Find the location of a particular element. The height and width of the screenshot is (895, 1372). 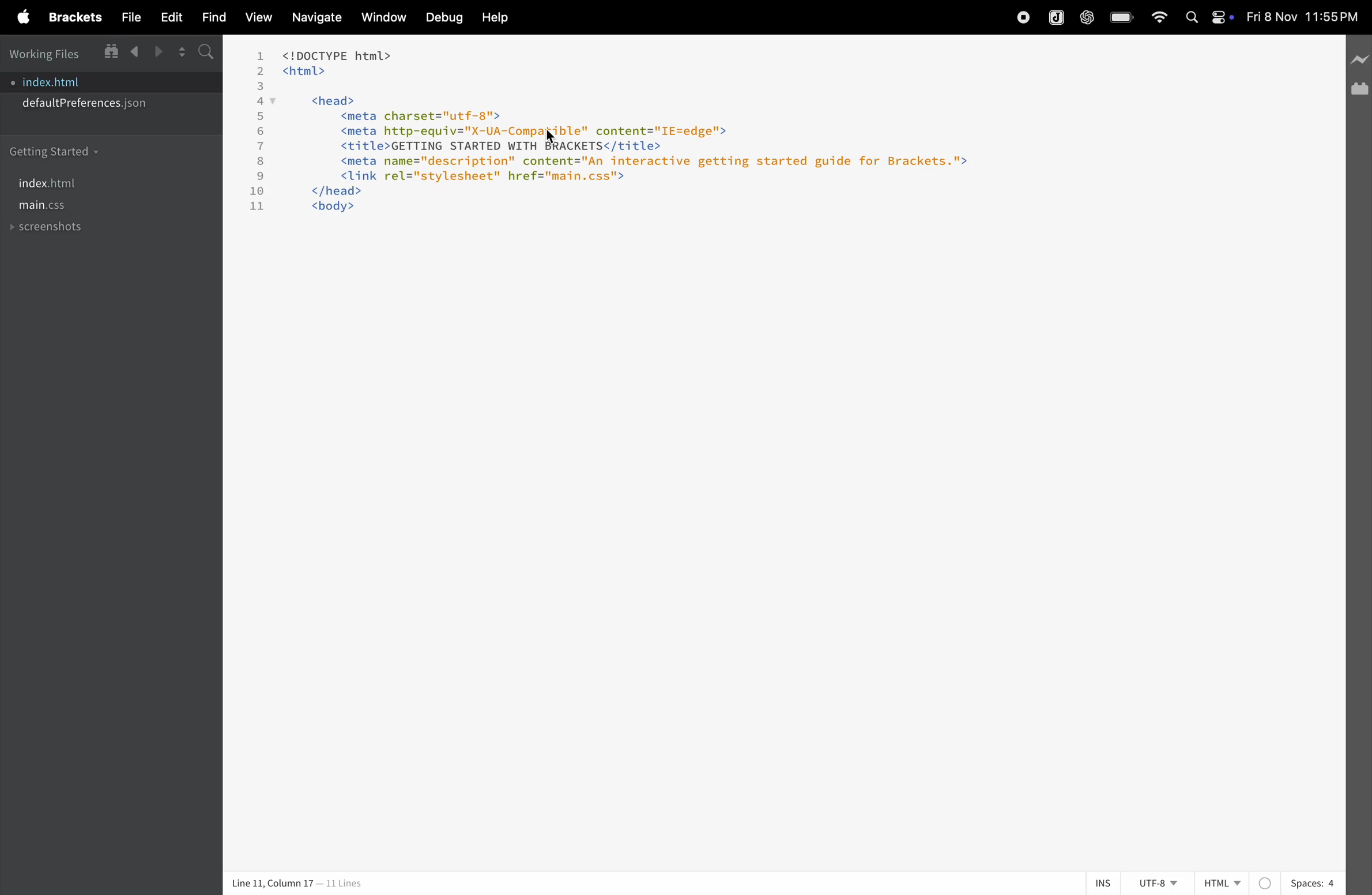

Search is located at coordinates (1190, 17).